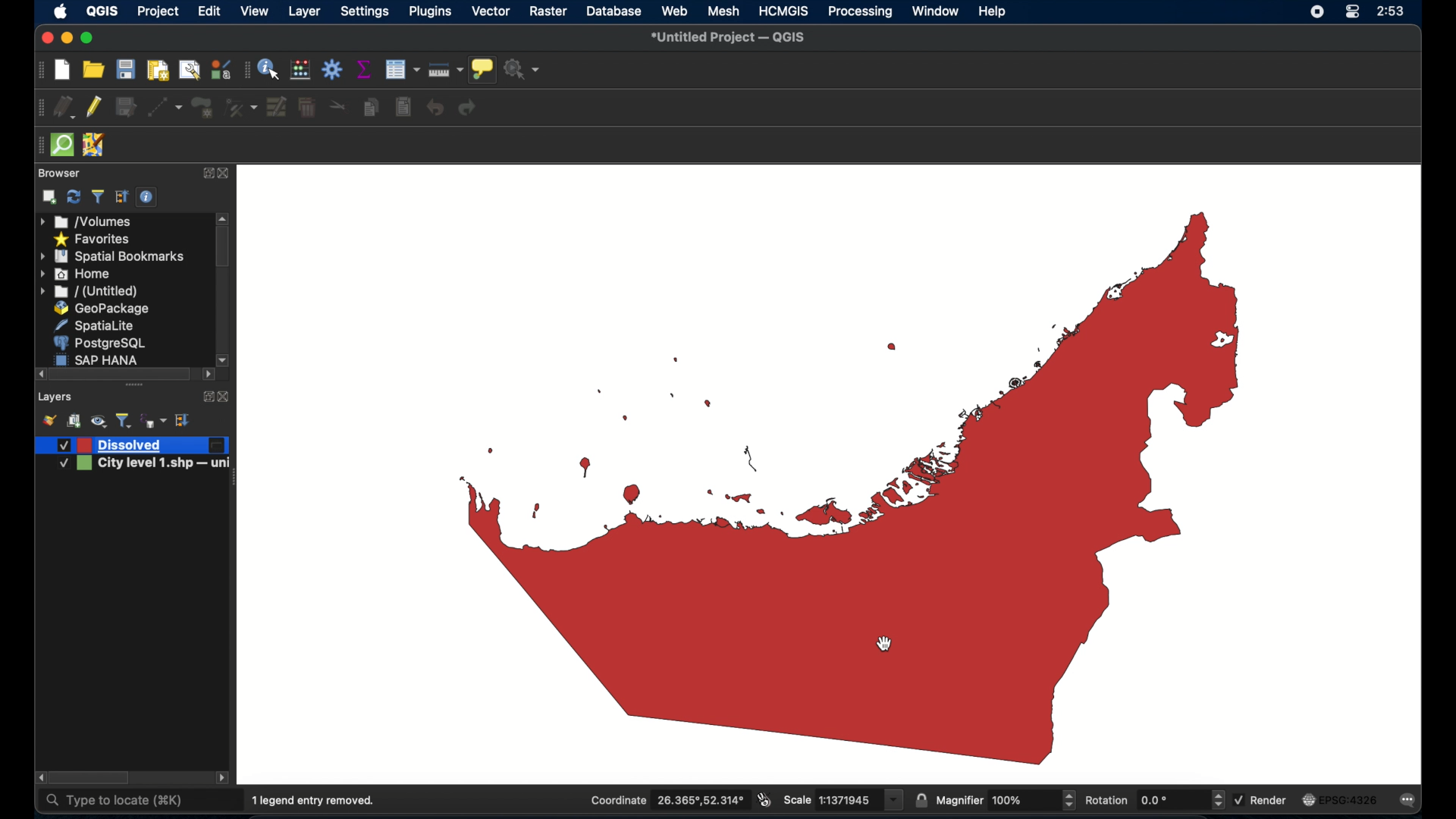 This screenshot has height=819, width=1456. I want to click on maximize, so click(88, 39).